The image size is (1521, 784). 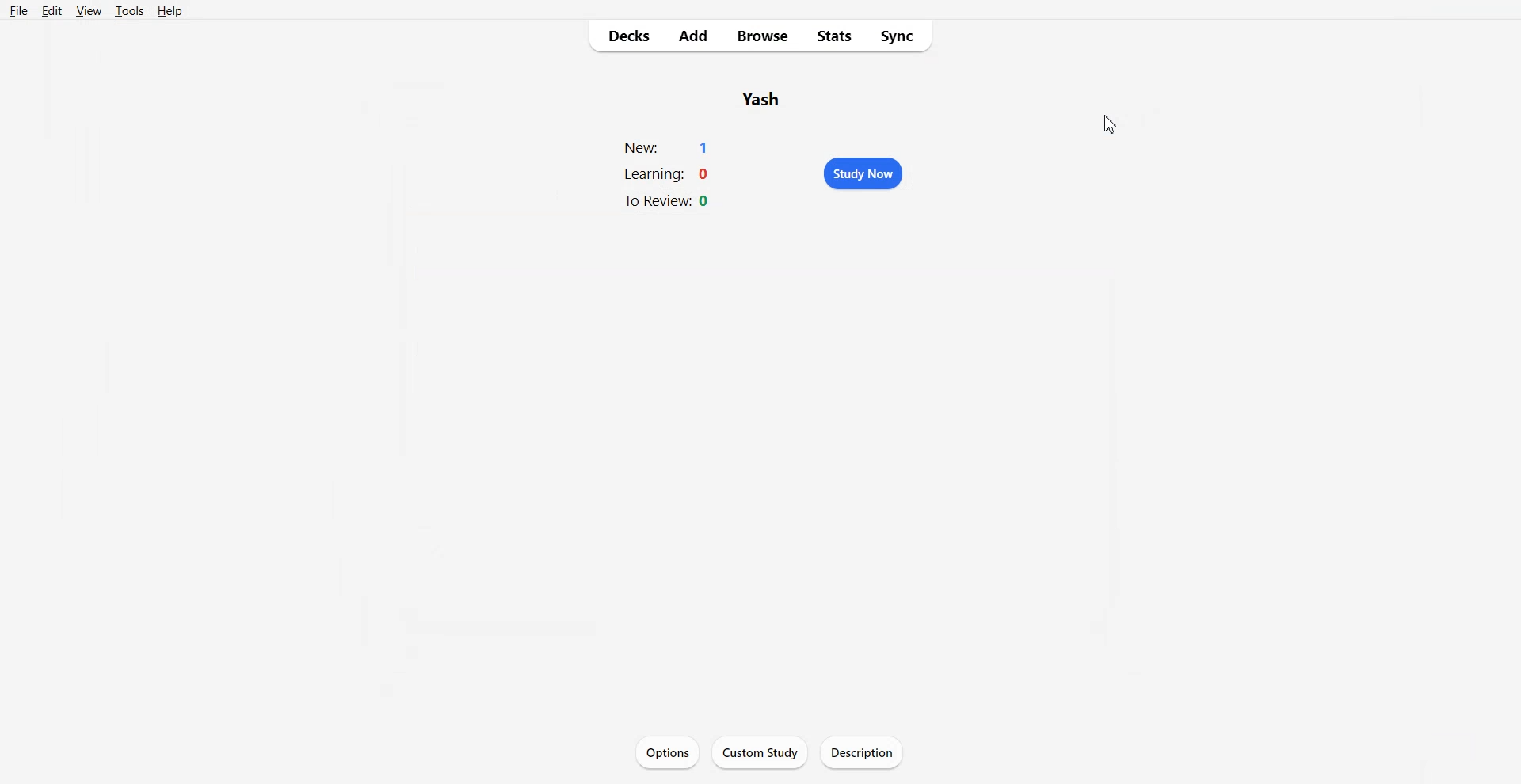 What do you see at coordinates (667, 751) in the screenshot?
I see `Options` at bounding box center [667, 751].